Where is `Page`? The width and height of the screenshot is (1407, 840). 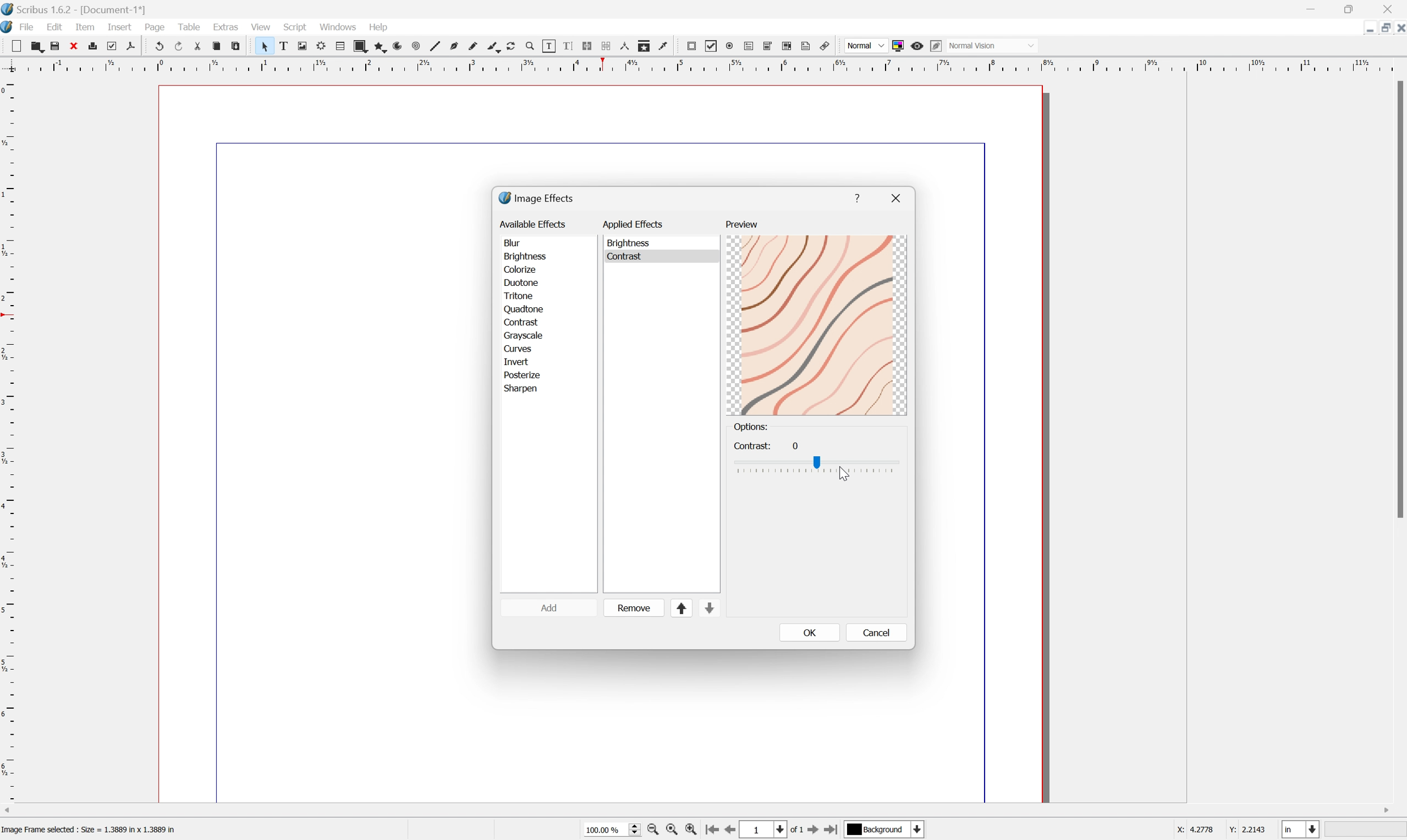 Page is located at coordinates (155, 27).